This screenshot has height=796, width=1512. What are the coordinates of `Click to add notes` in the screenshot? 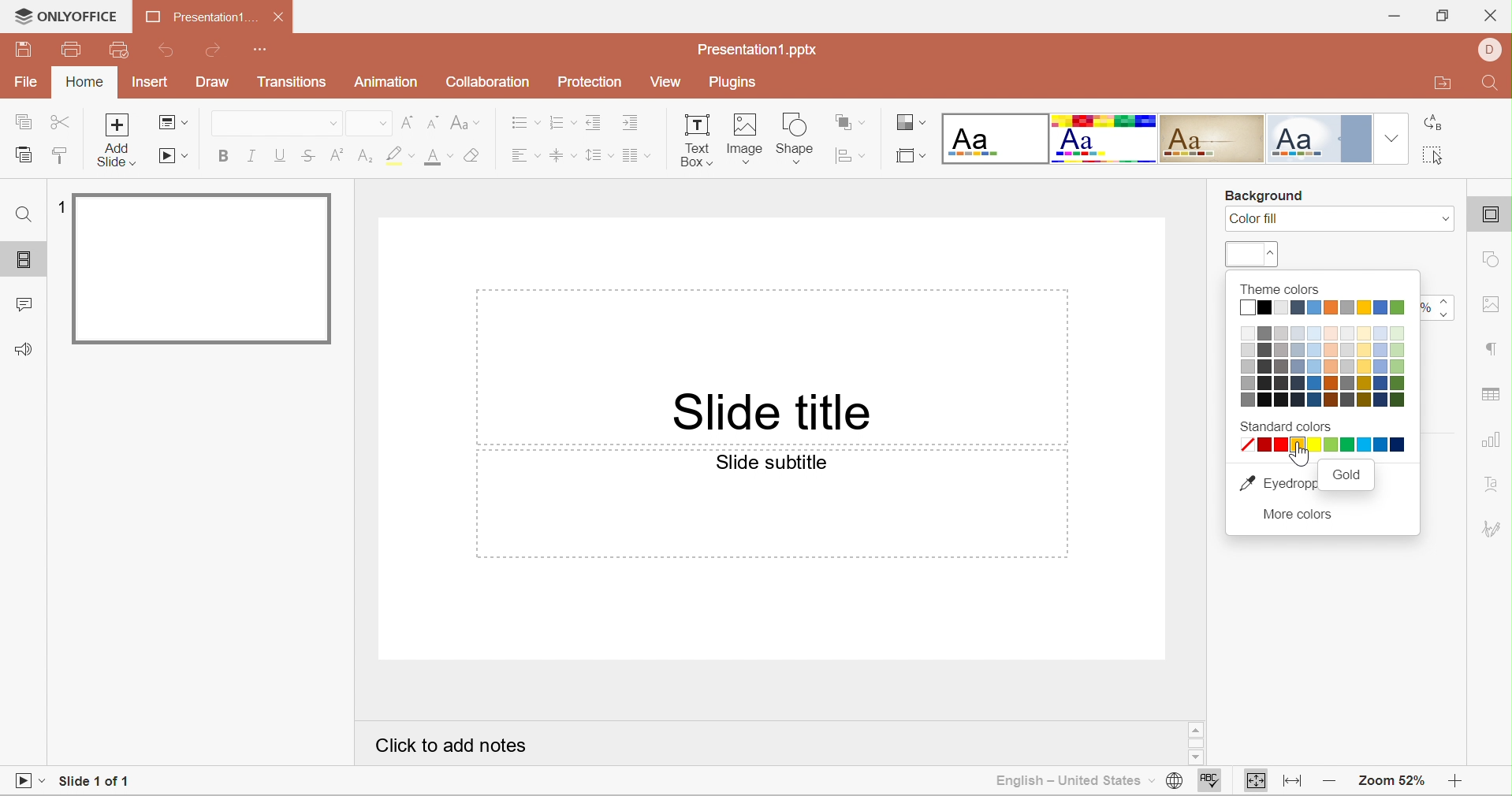 It's located at (445, 744).